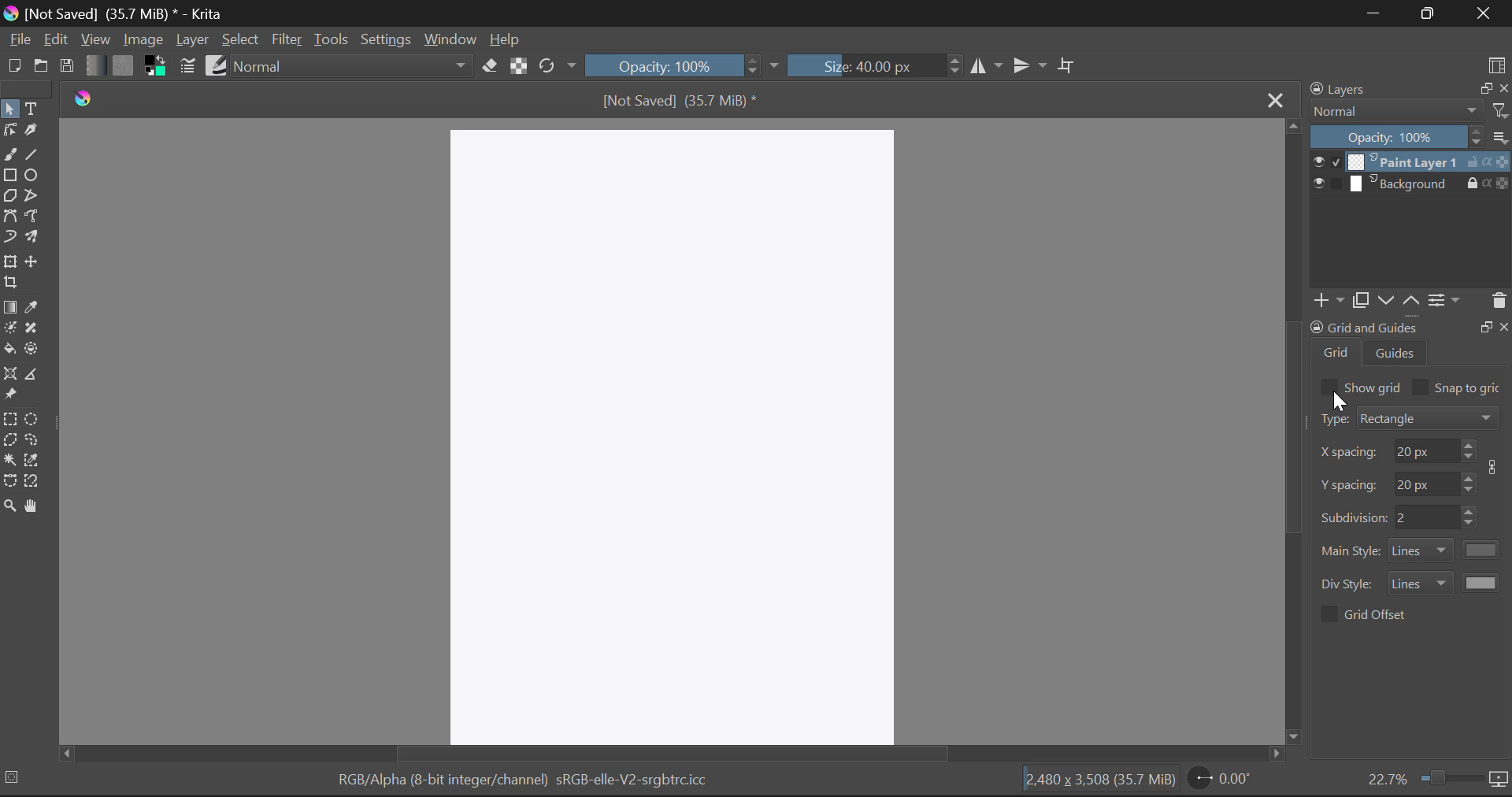 The width and height of the screenshot is (1512, 797). Describe the element at coordinates (34, 441) in the screenshot. I see `Freehand Selection` at that location.